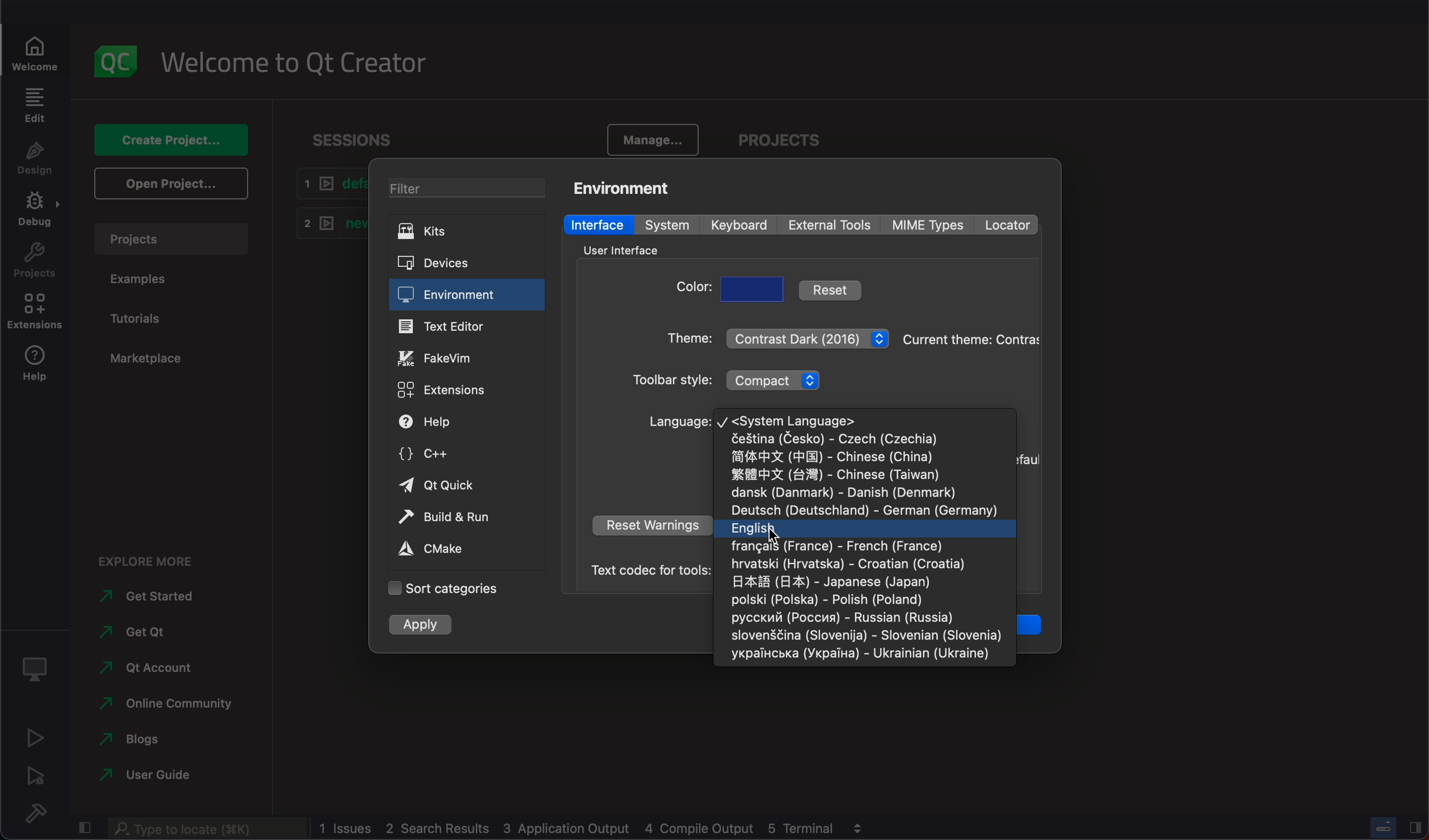  I want to click on choose color, so click(754, 289).